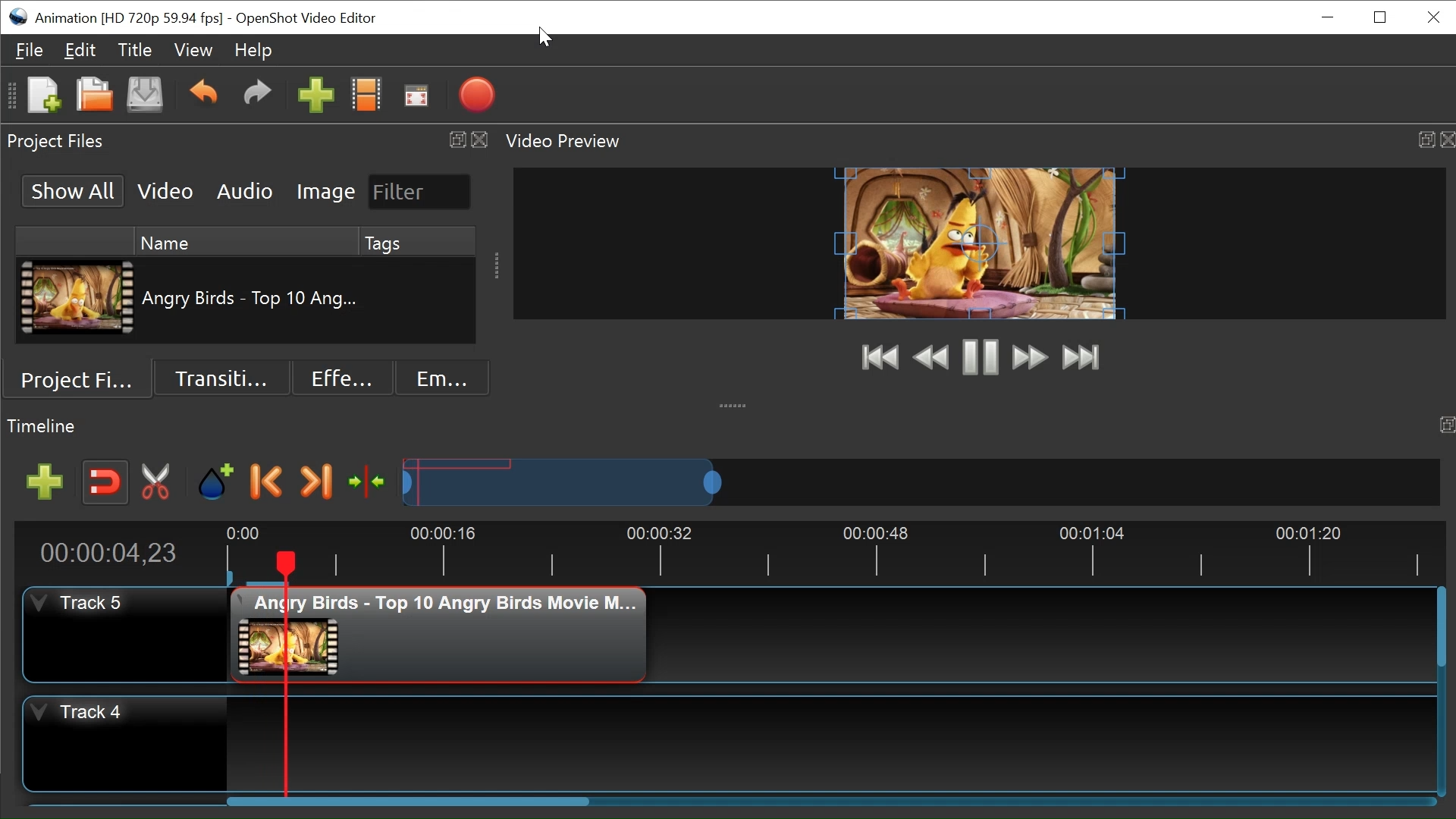 This screenshot has height=819, width=1456. What do you see at coordinates (219, 379) in the screenshot?
I see `Transition` at bounding box center [219, 379].